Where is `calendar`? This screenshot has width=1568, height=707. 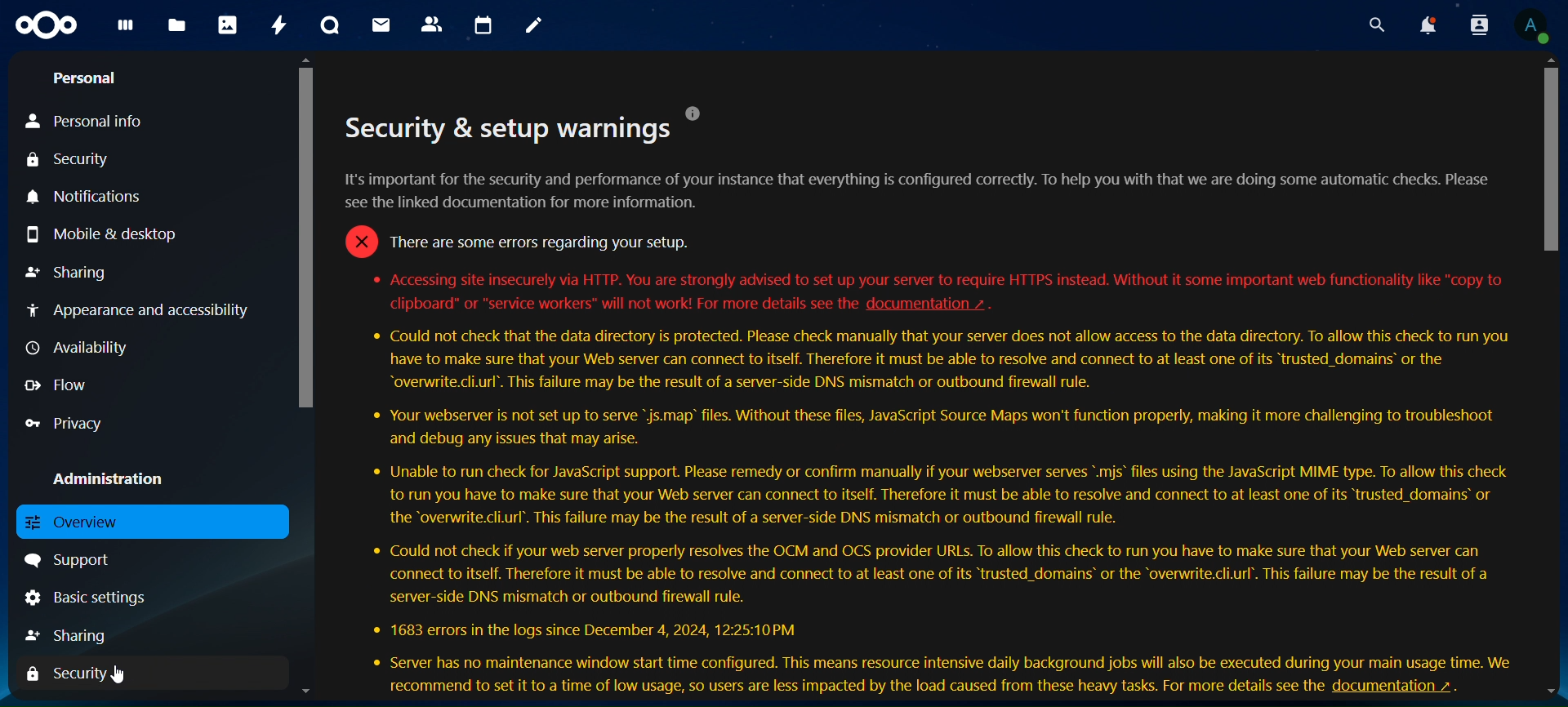
calendar is located at coordinates (484, 26).